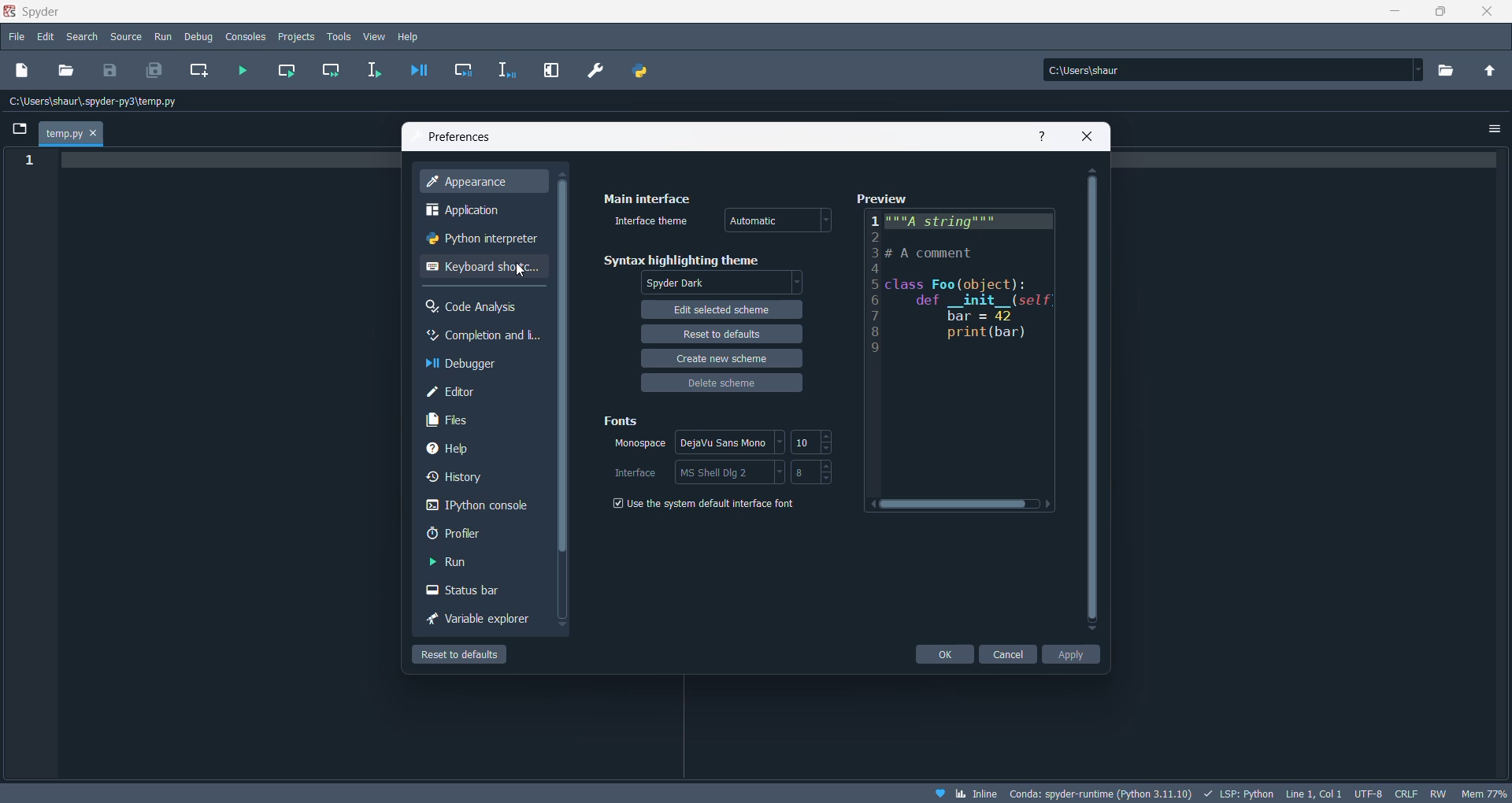  Describe the element at coordinates (868, 505) in the screenshot. I see `move left` at that location.